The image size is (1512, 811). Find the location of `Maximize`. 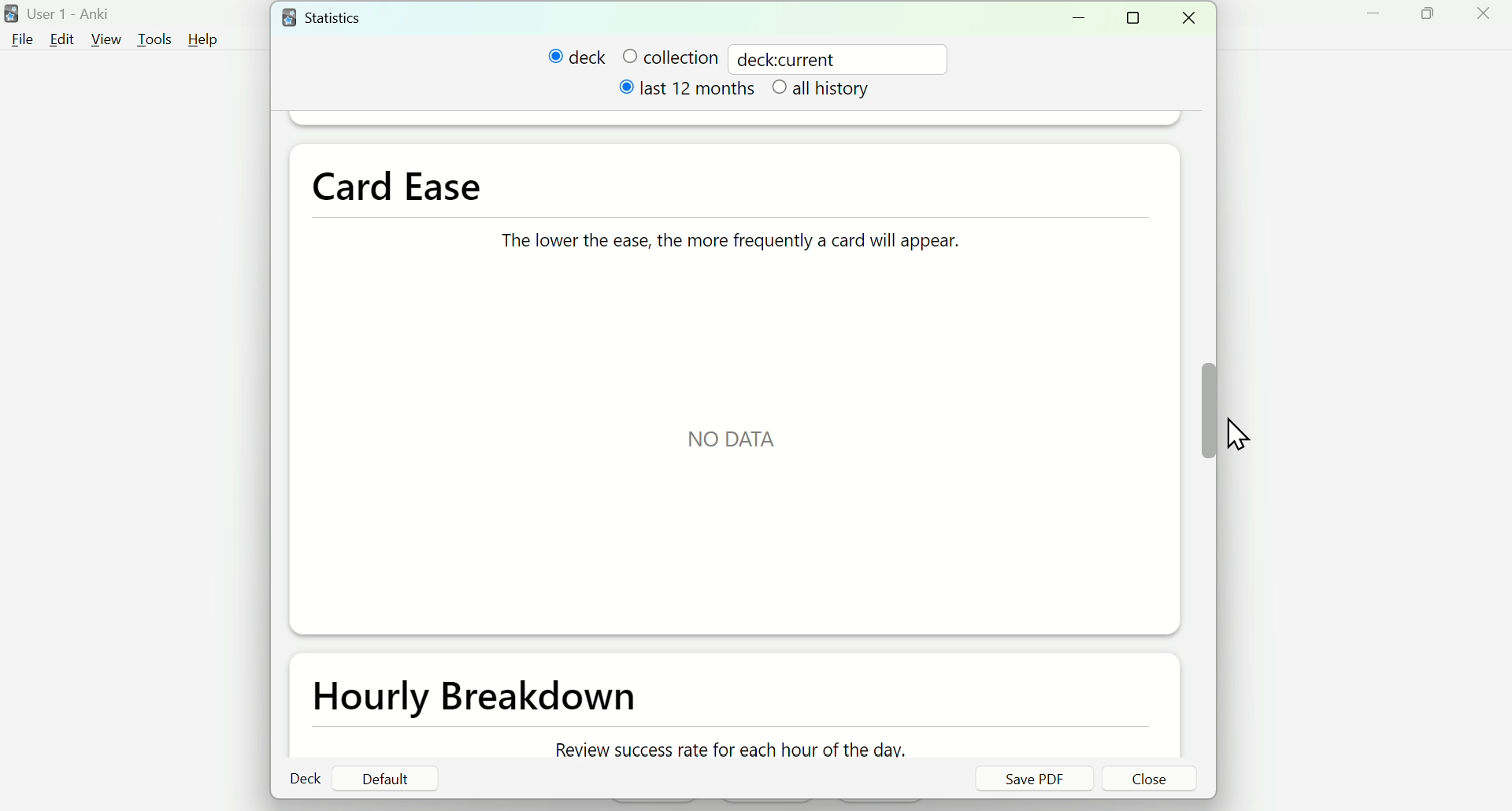

Maximize is located at coordinates (1437, 20).